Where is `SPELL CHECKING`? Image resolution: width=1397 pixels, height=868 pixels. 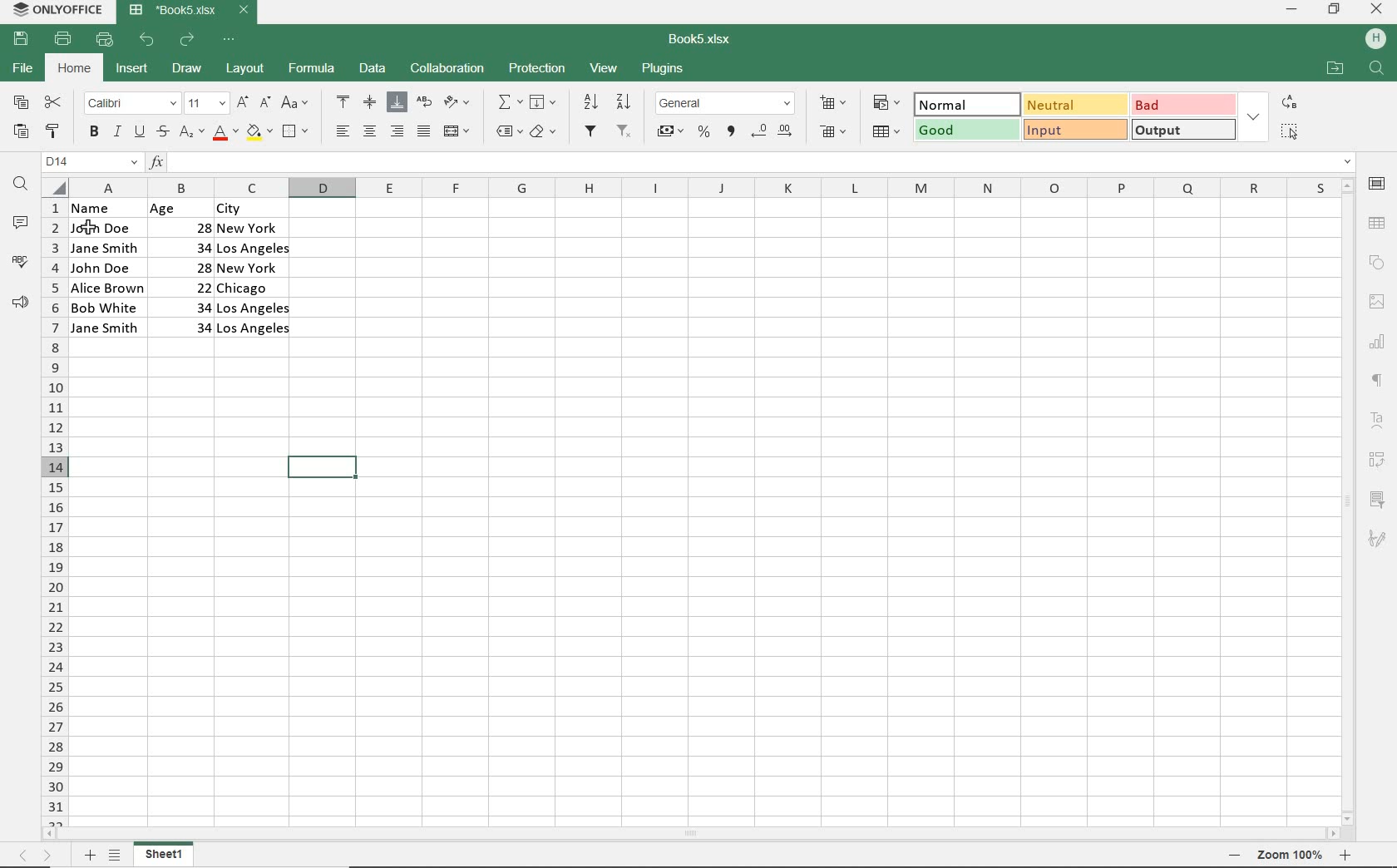 SPELL CHECKING is located at coordinates (20, 262).